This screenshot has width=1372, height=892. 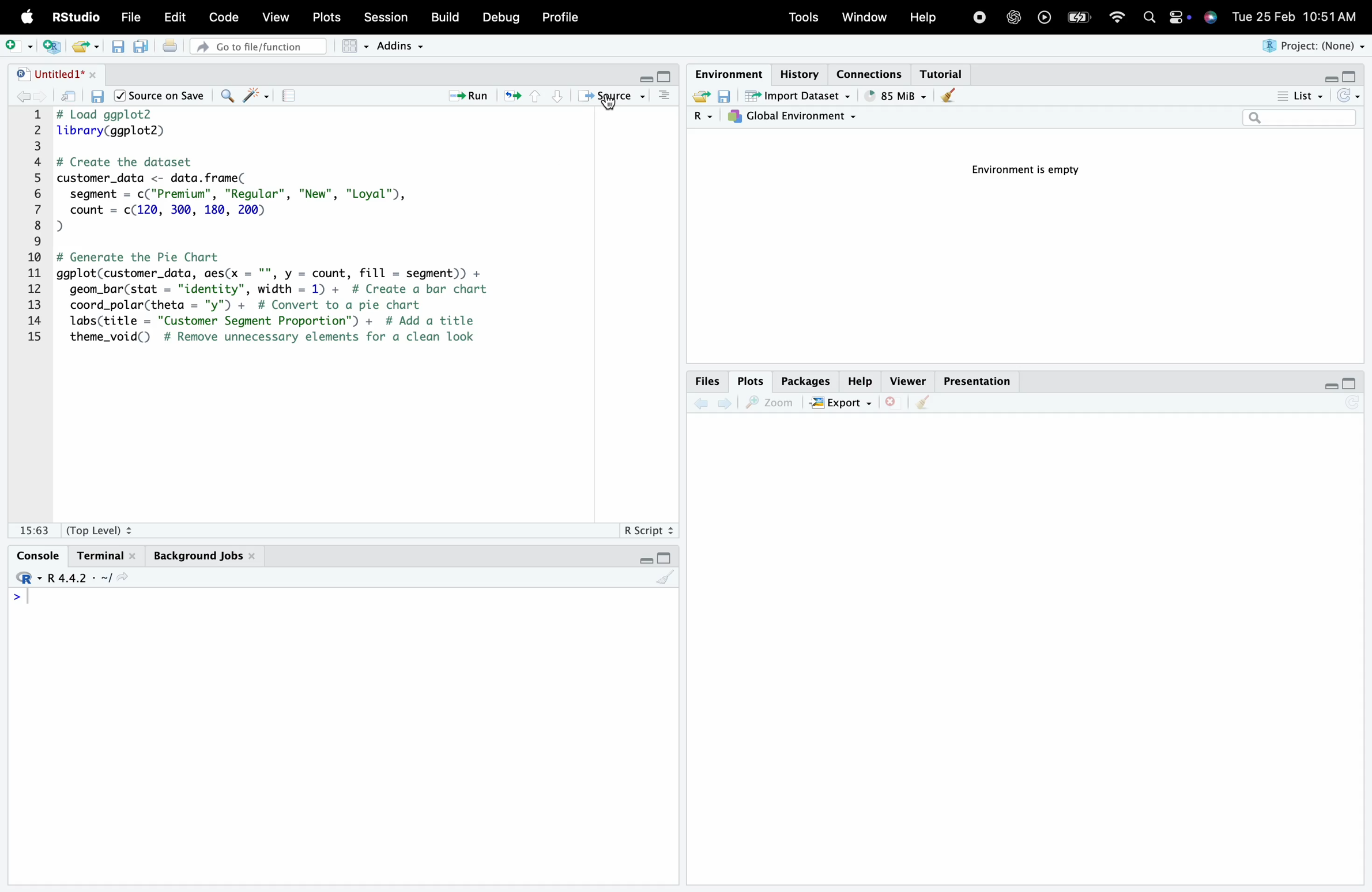 What do you see at coordinates (33, 528) in the screenshot?
I see `1:1` at bounding box center [33, 528].